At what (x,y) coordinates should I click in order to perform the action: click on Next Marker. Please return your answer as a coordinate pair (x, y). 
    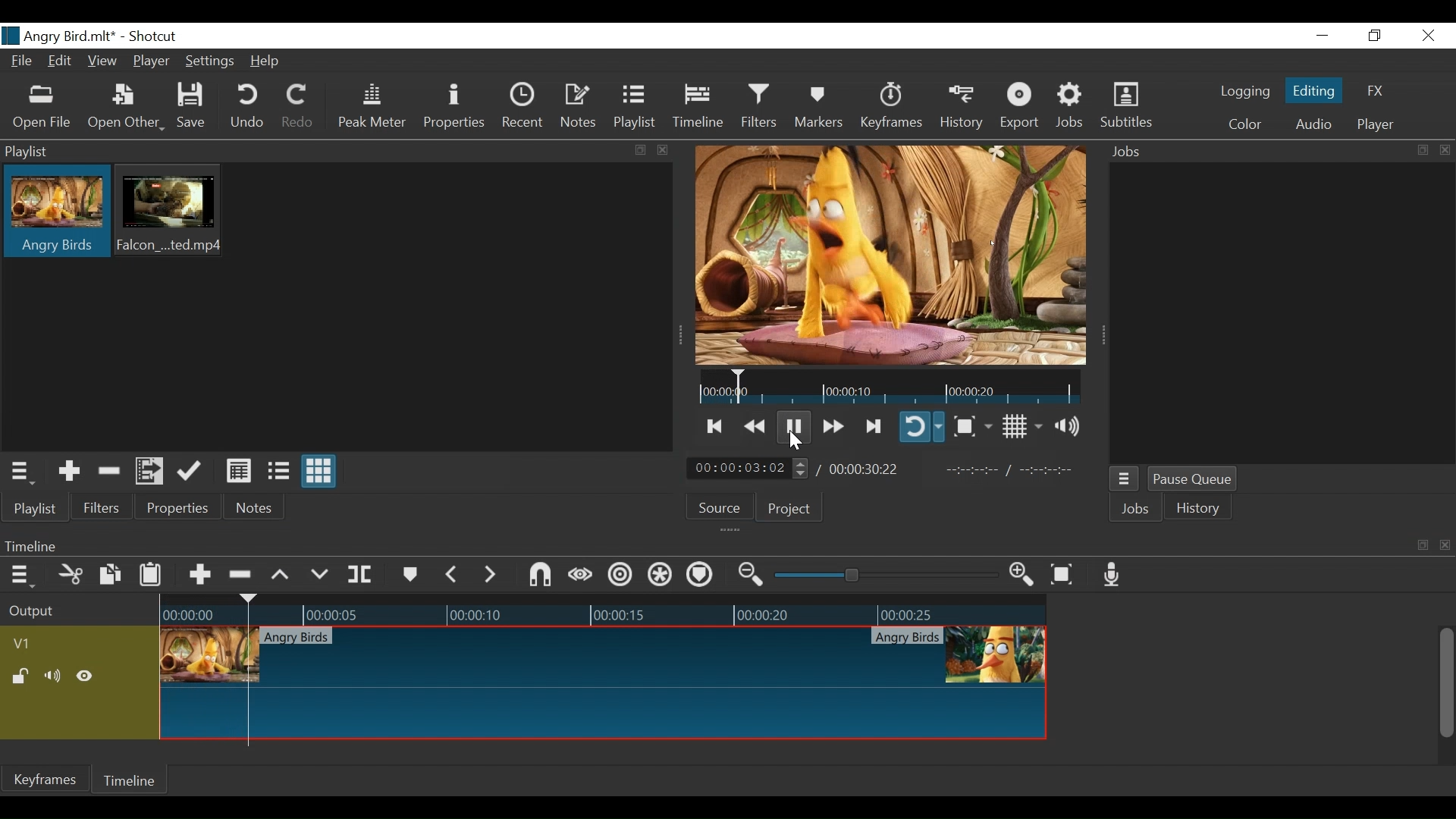
    Looking at the image, I should click on (490, 574).